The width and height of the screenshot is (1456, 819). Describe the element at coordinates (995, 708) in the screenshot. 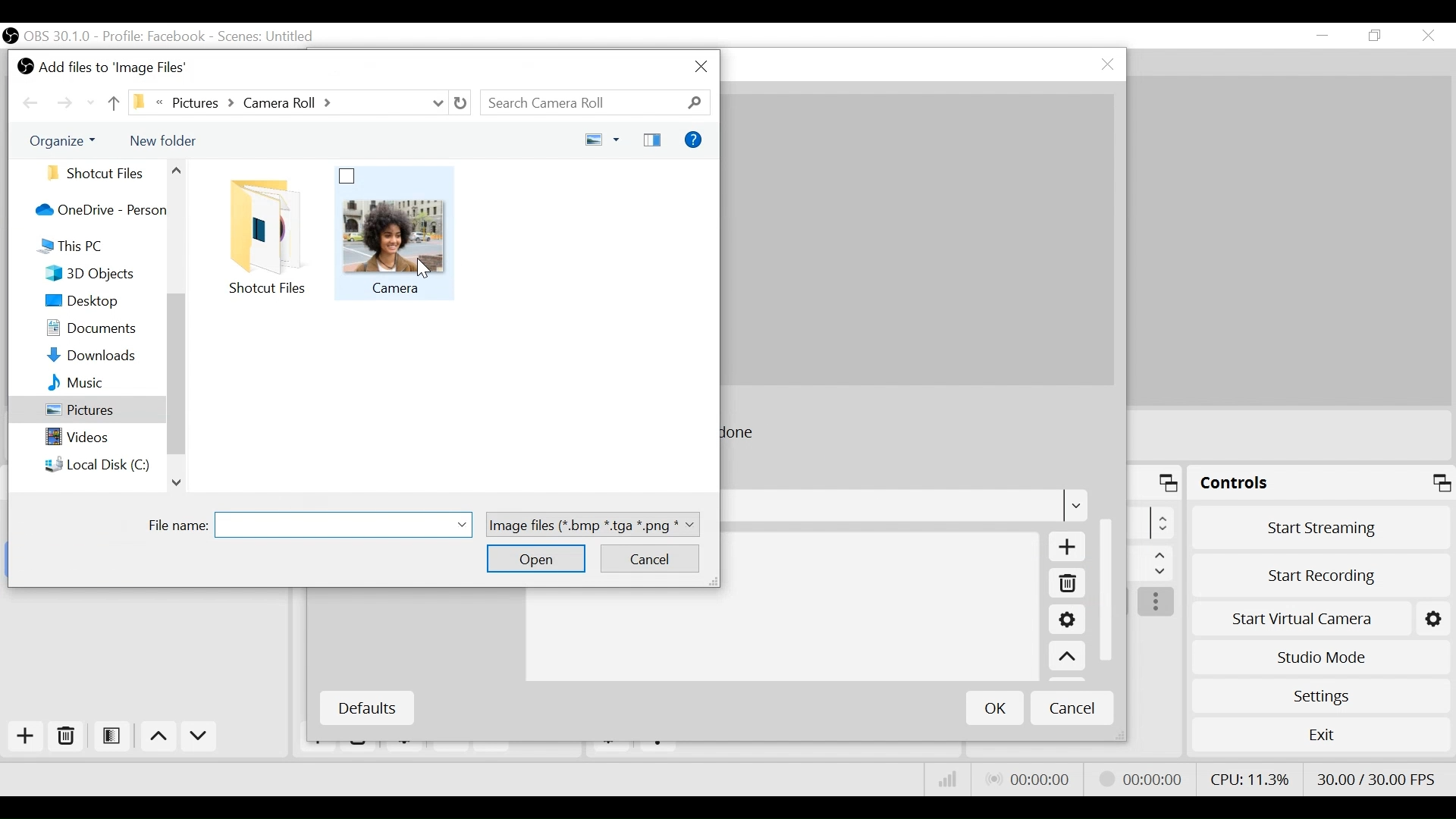

I see `OK` at that location.